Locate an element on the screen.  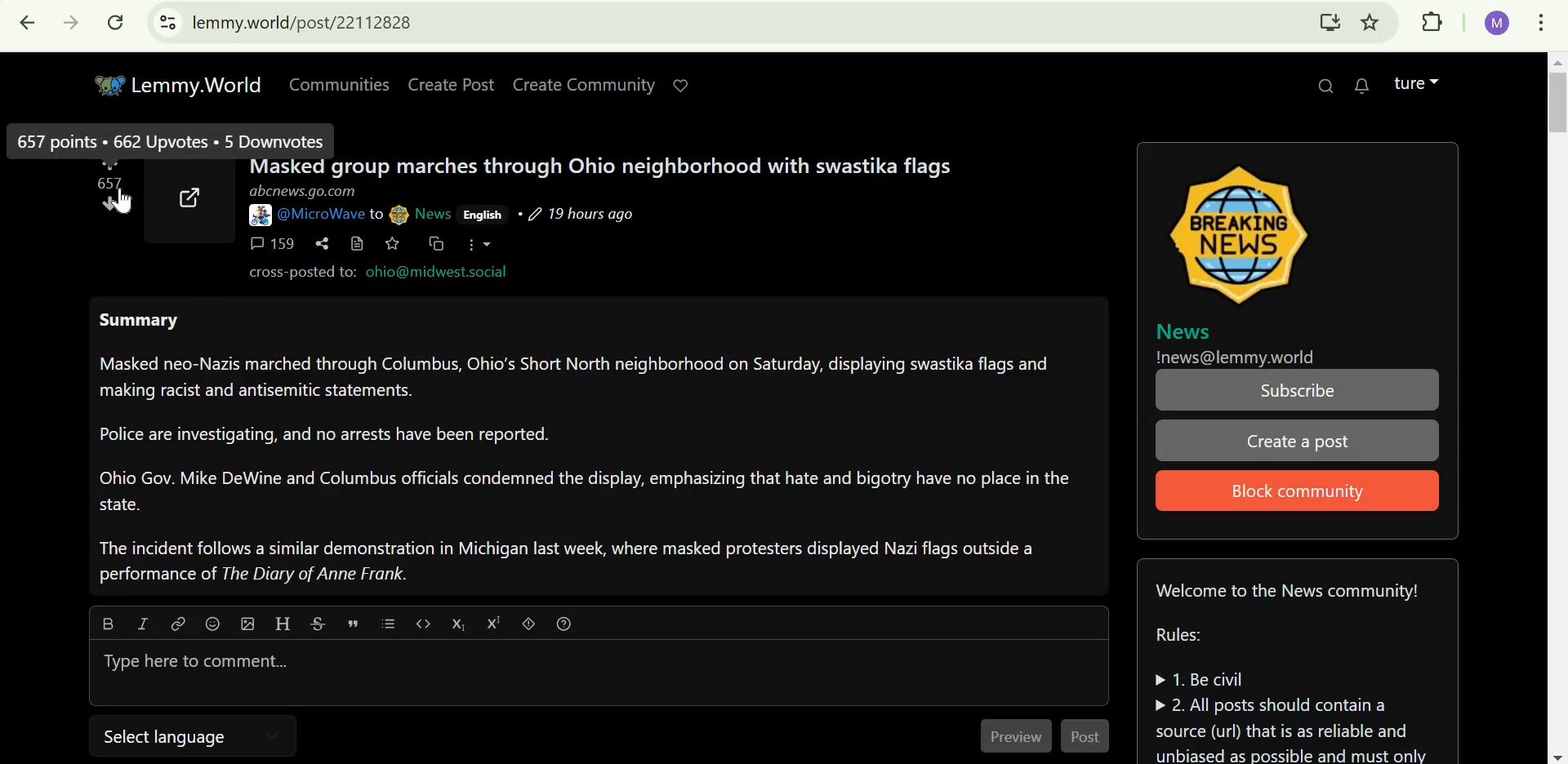
lemmy account is located at coordinates (1418, 84).